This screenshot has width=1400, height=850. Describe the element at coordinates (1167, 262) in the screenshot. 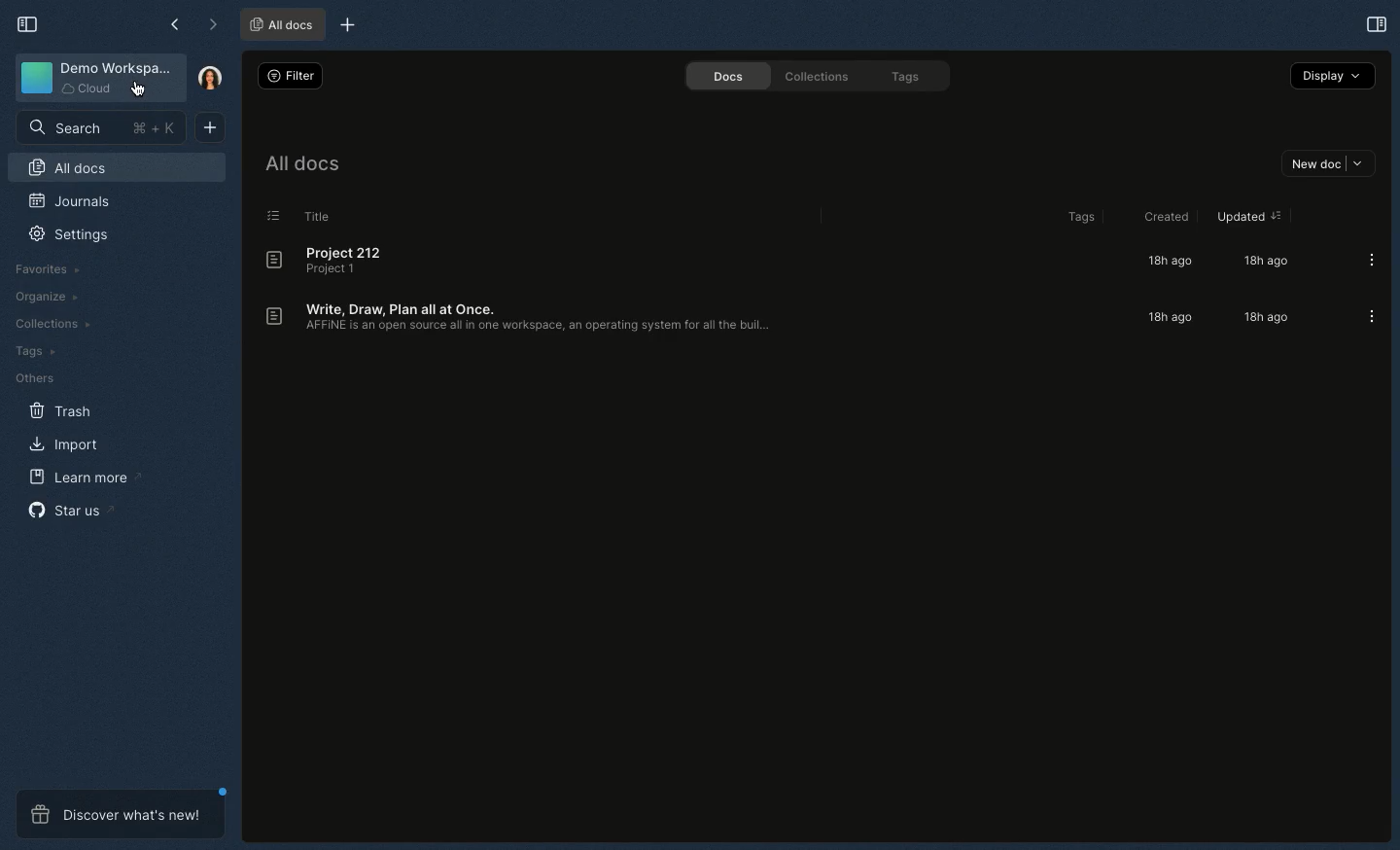

I see `18h ago` at that location.